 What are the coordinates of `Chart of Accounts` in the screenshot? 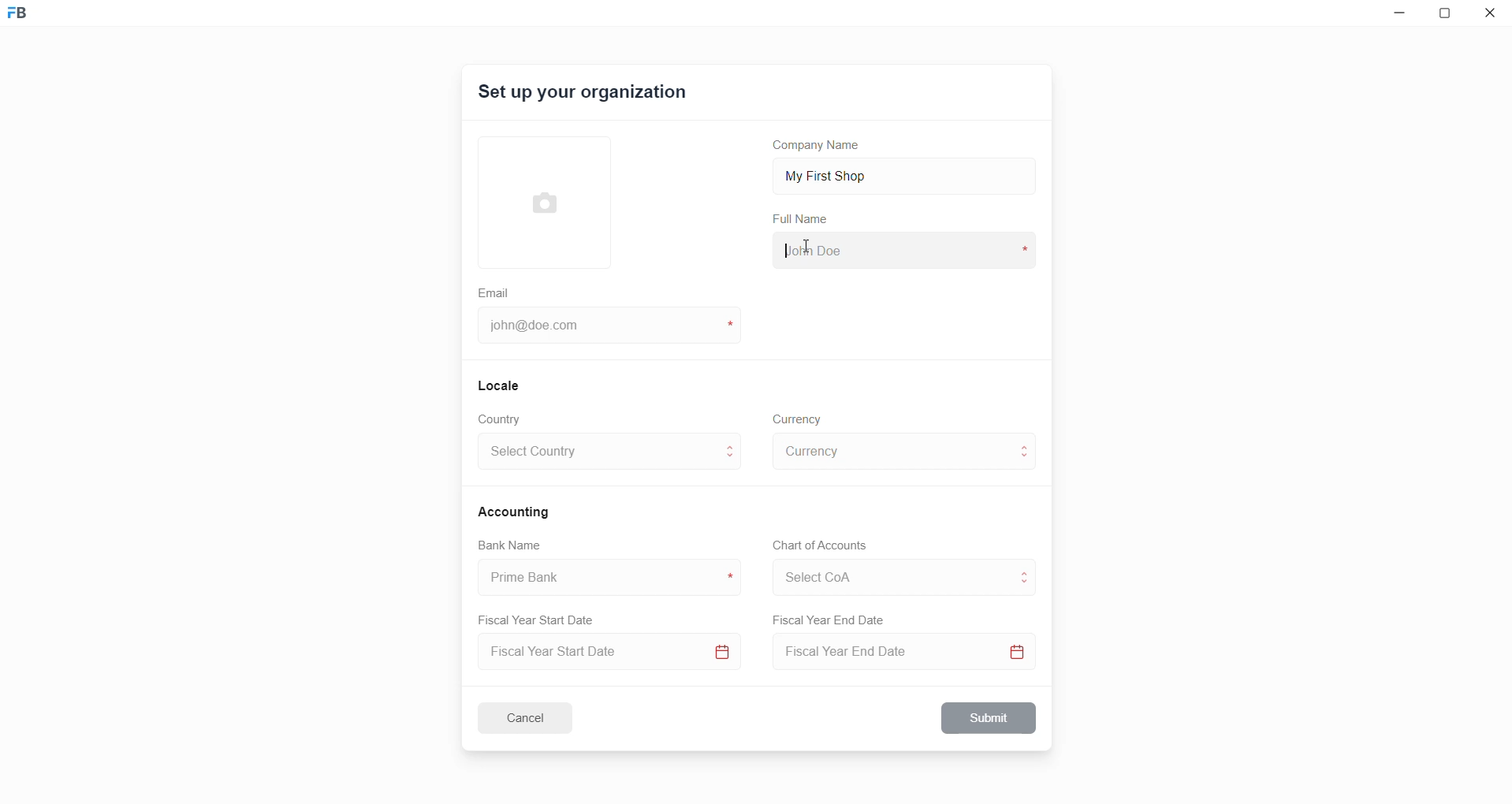 It's located at (815, 545).